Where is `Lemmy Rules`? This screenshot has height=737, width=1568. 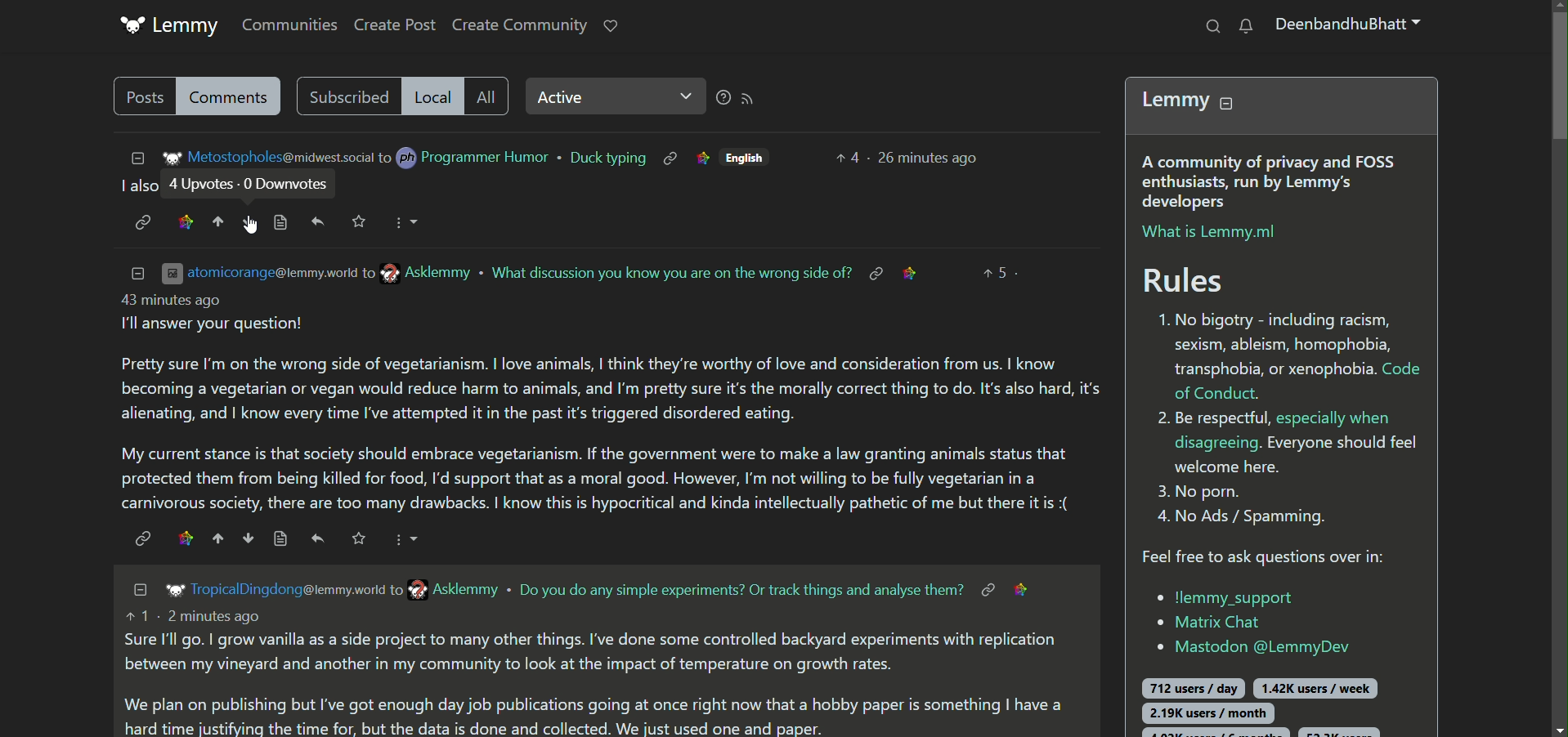 Lemmy Rules is located at coordinates (1286, 324).